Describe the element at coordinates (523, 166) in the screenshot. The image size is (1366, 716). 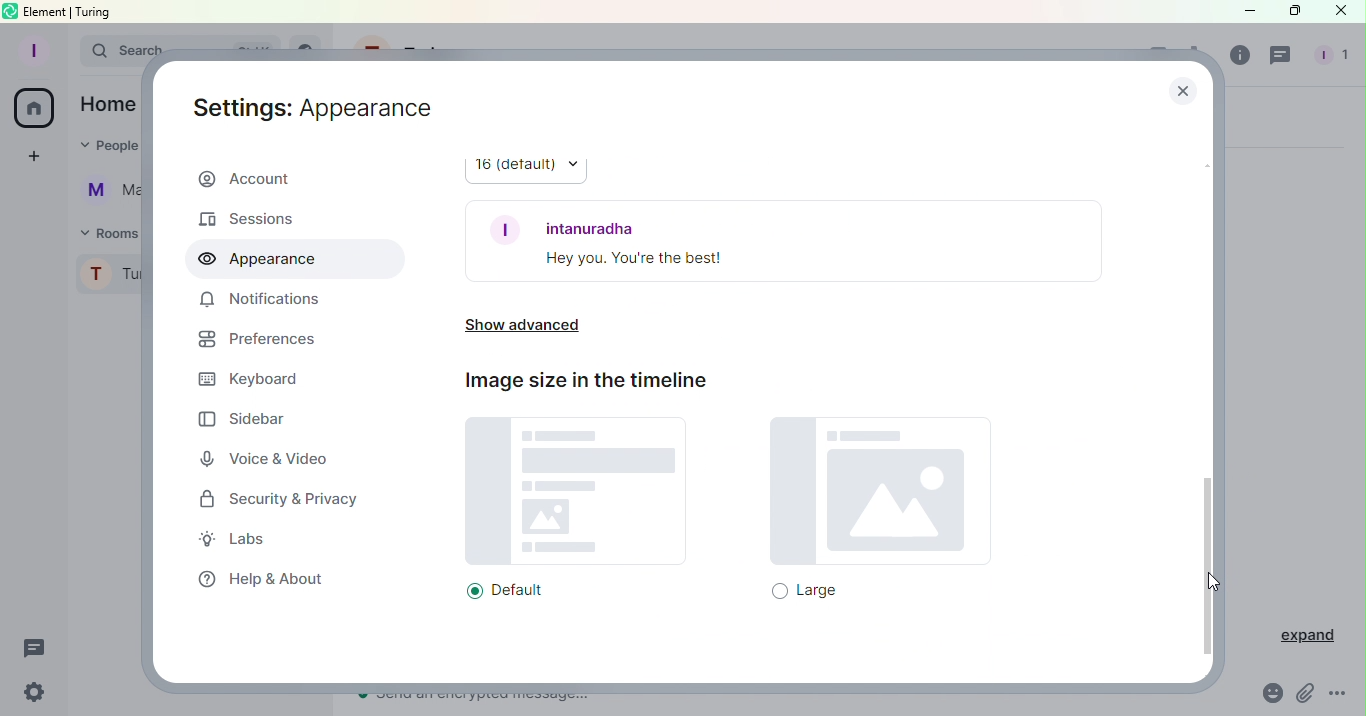
I see `16 (default)` at that location.